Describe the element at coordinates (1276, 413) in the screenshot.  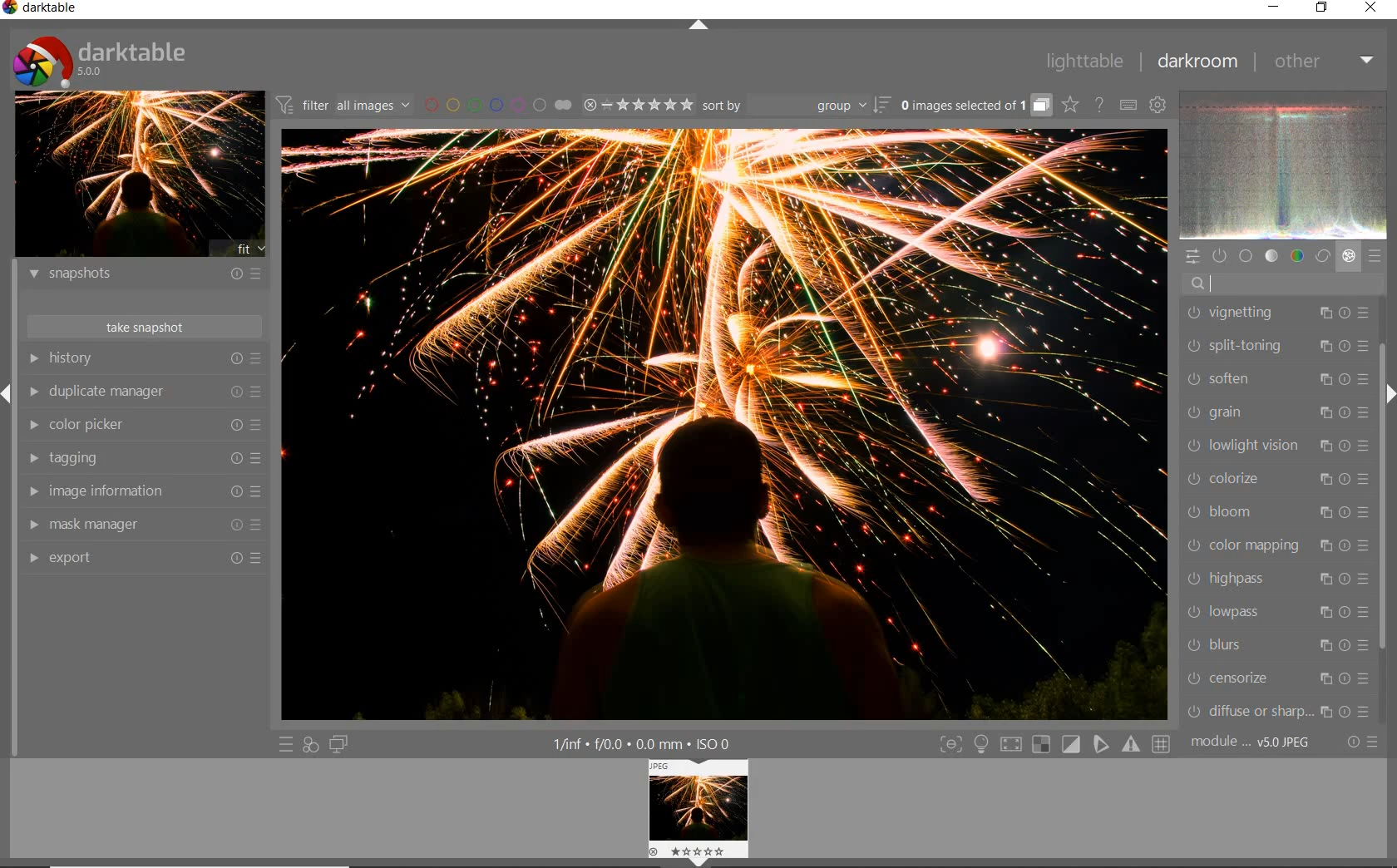
I see `grain` at that location.